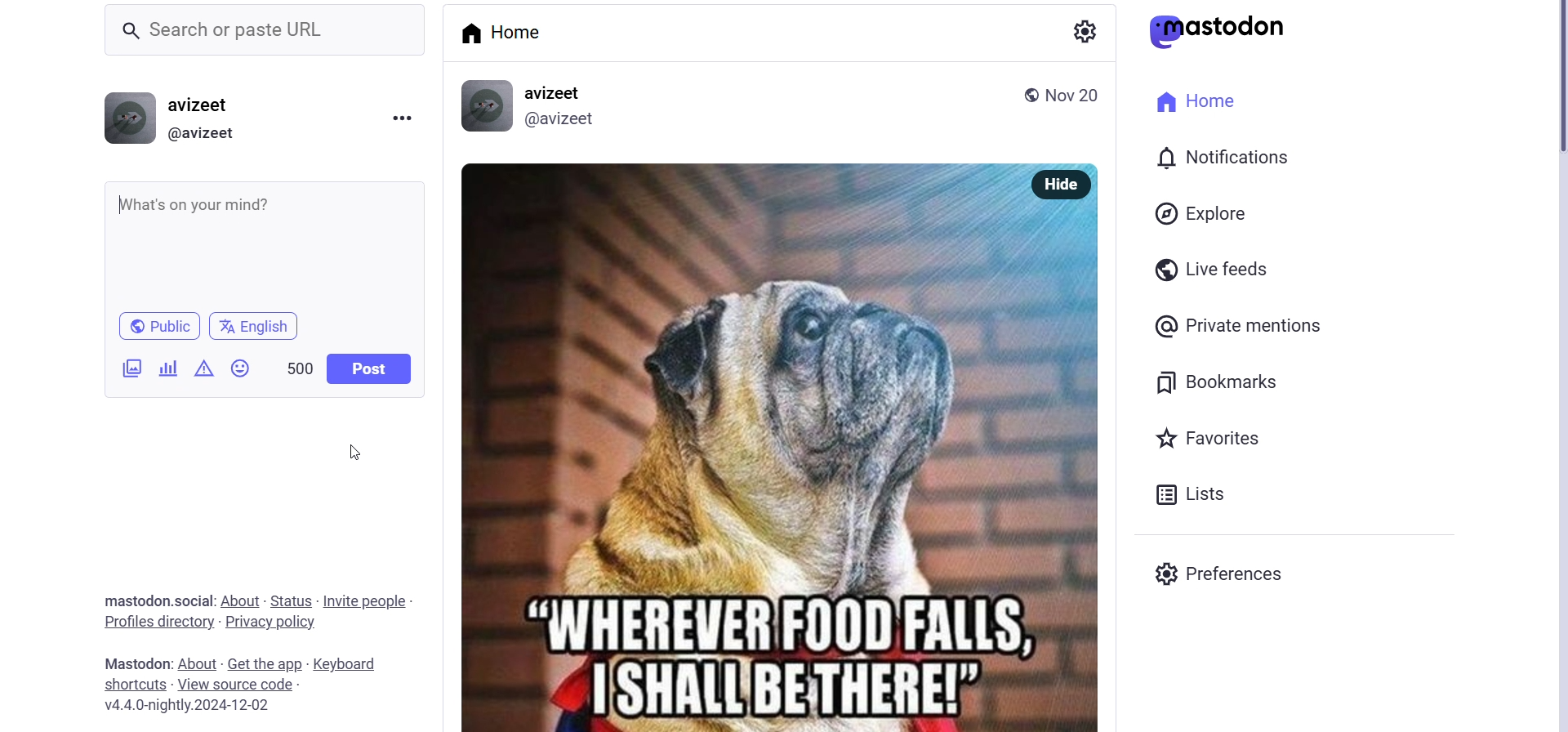 The height and width of the screenshot is (732, 1568). Describe the element at coordinates (137, 601) in the screenshot. I see `mastodon social` at that location.